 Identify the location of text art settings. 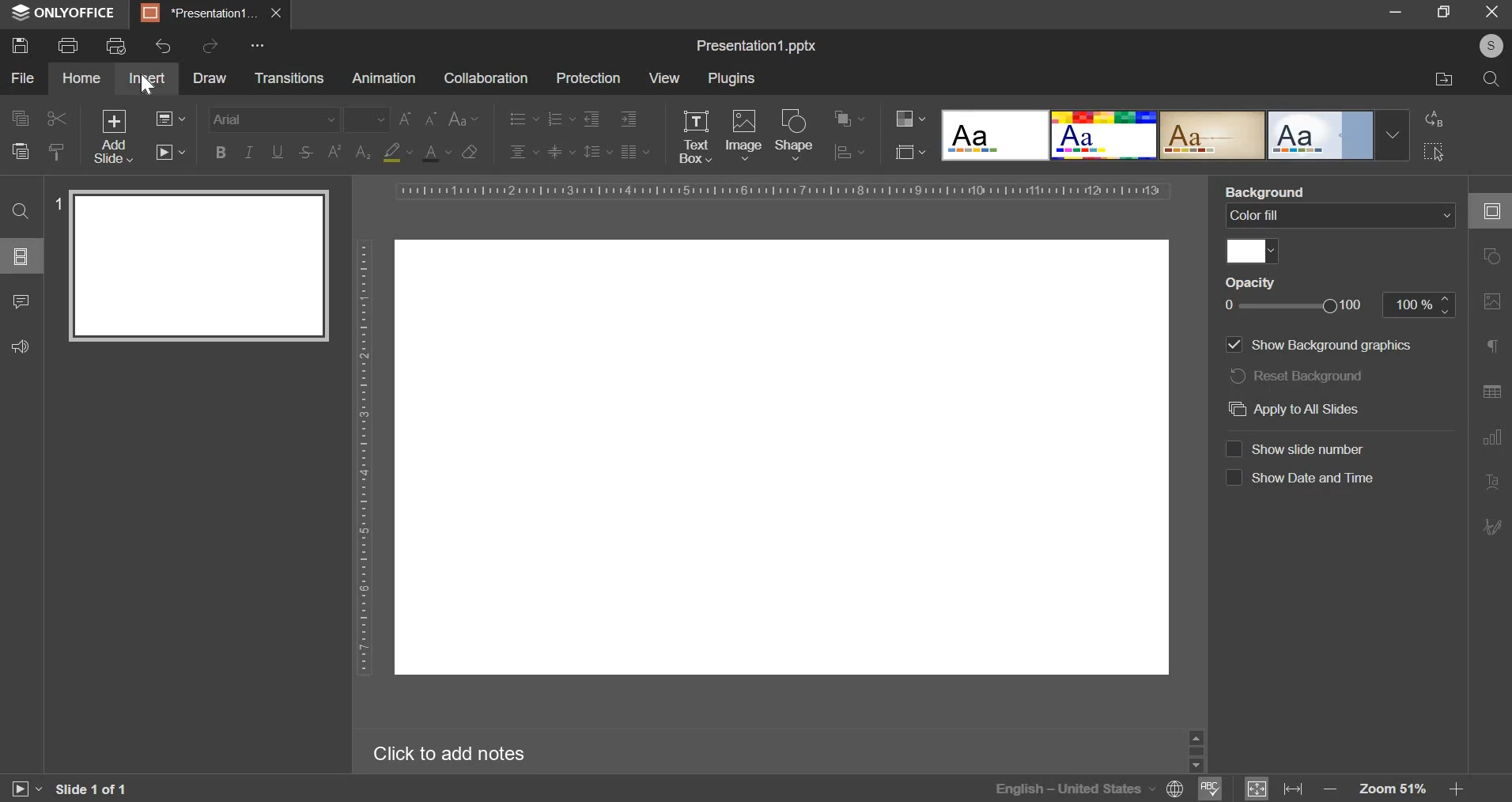
(1490, 483).